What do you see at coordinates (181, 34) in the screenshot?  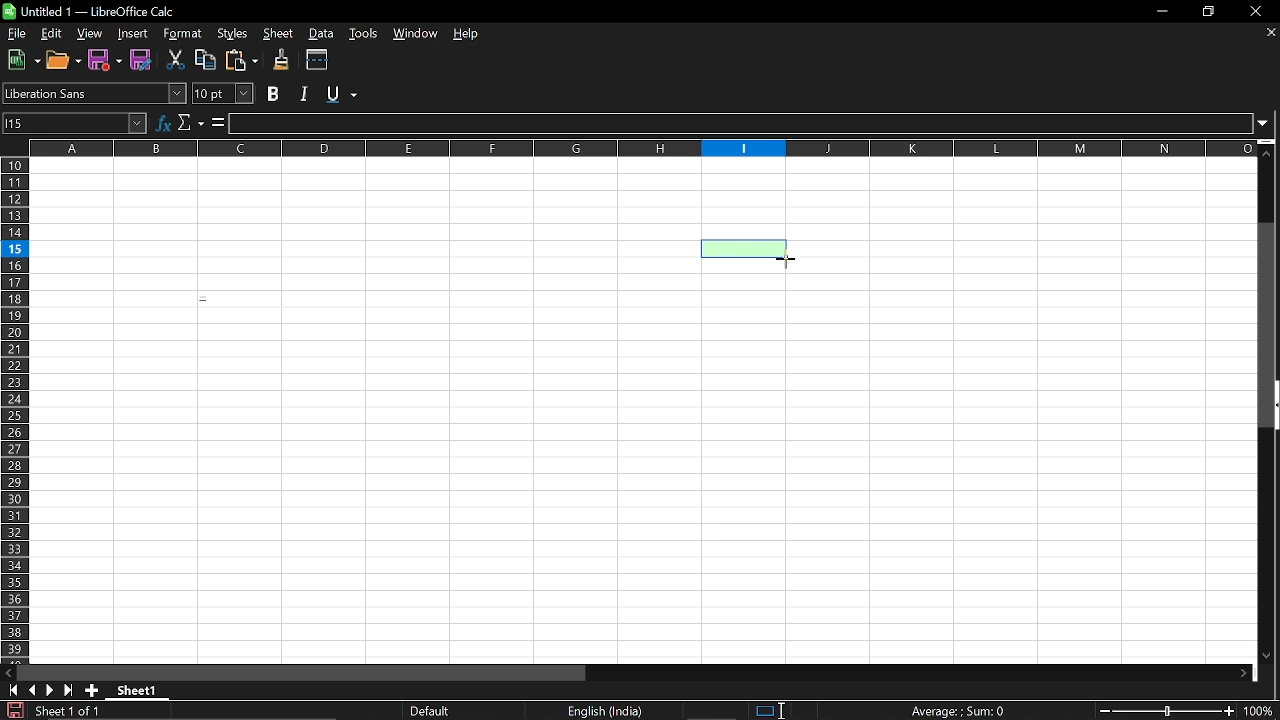 I see `Format` at bounding box center [181, 34].